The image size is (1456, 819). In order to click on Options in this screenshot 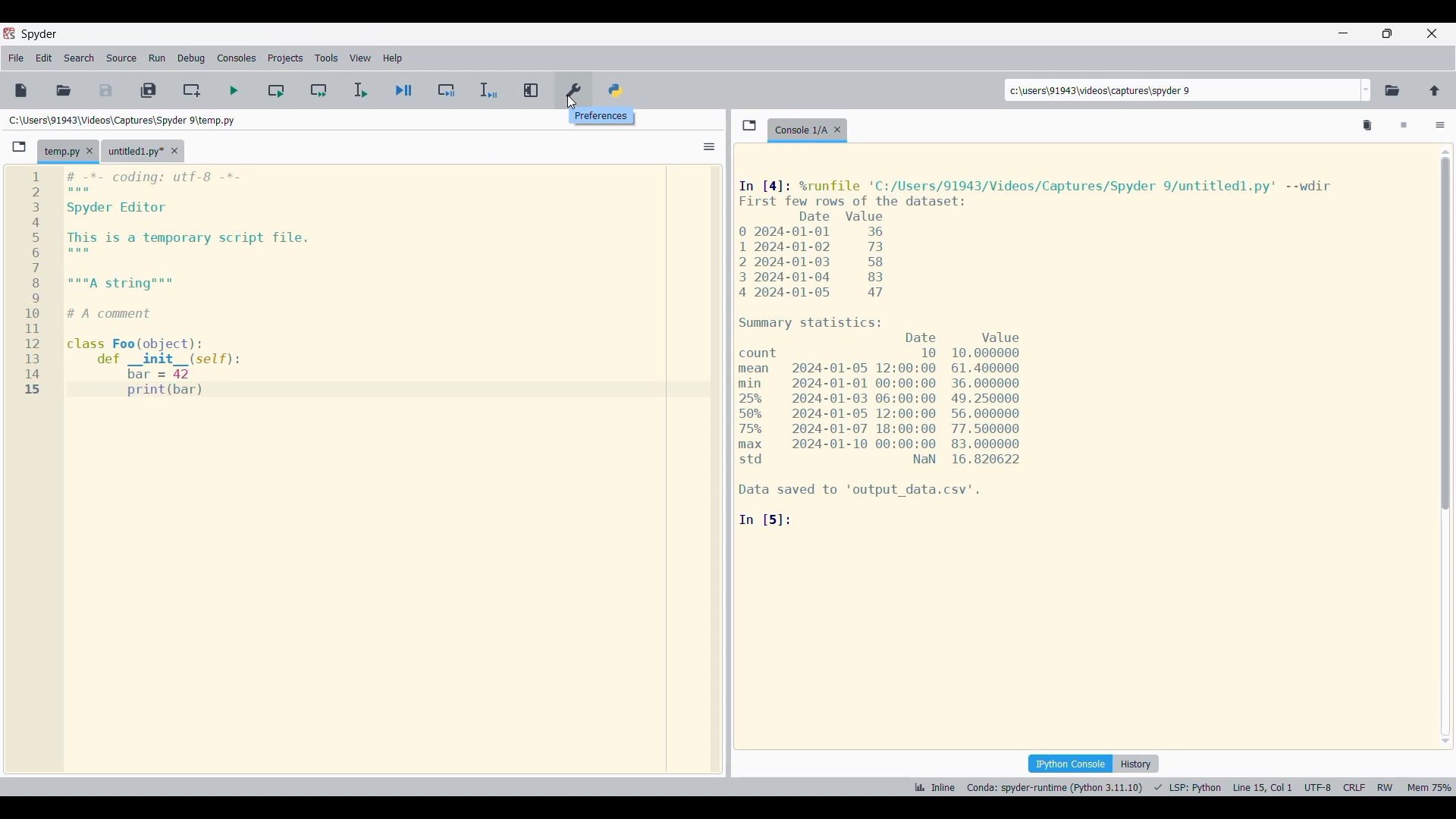, I will do `click(709, 147)`.